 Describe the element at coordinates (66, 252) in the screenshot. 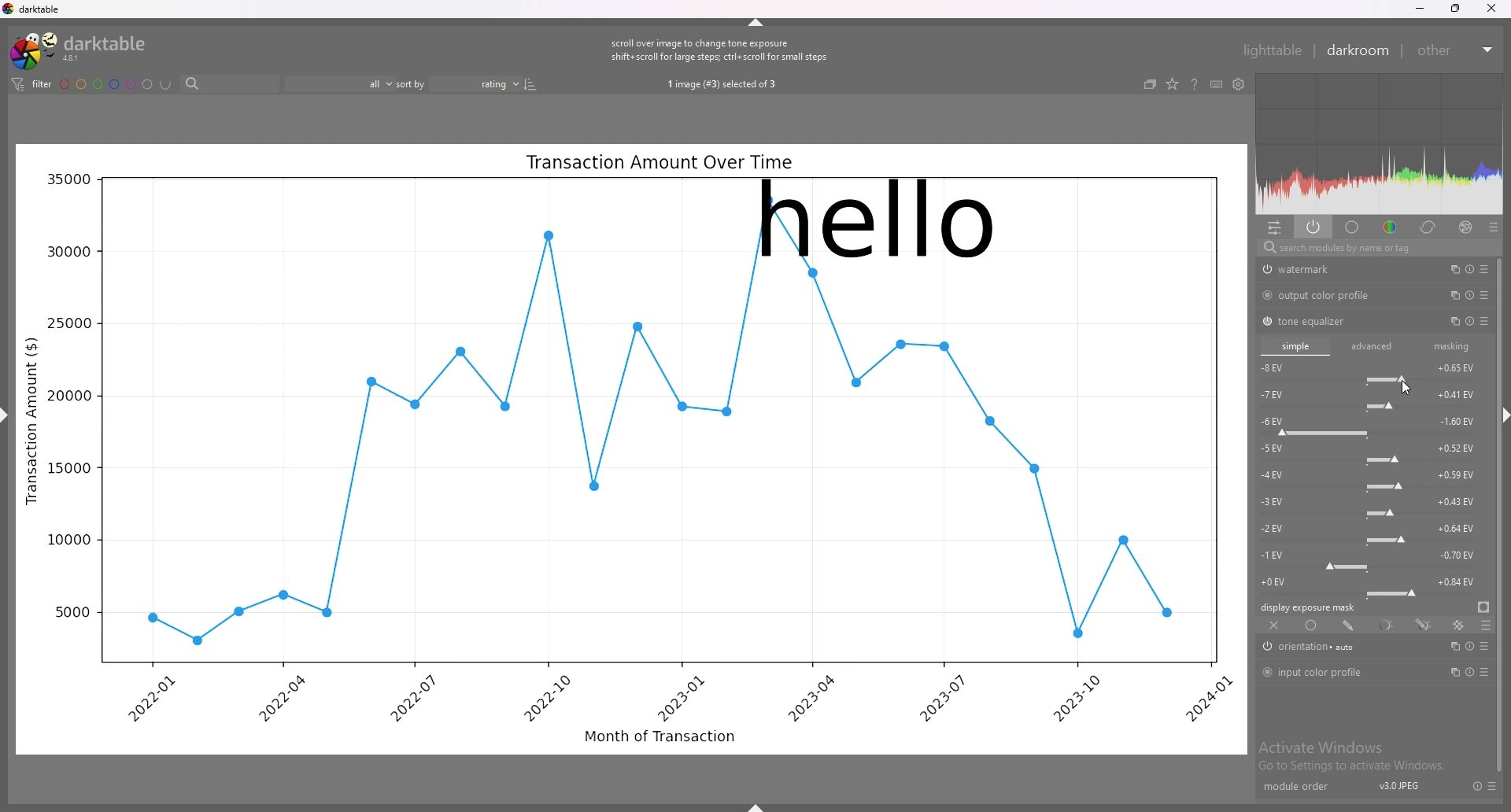

I see `30000` at that location.